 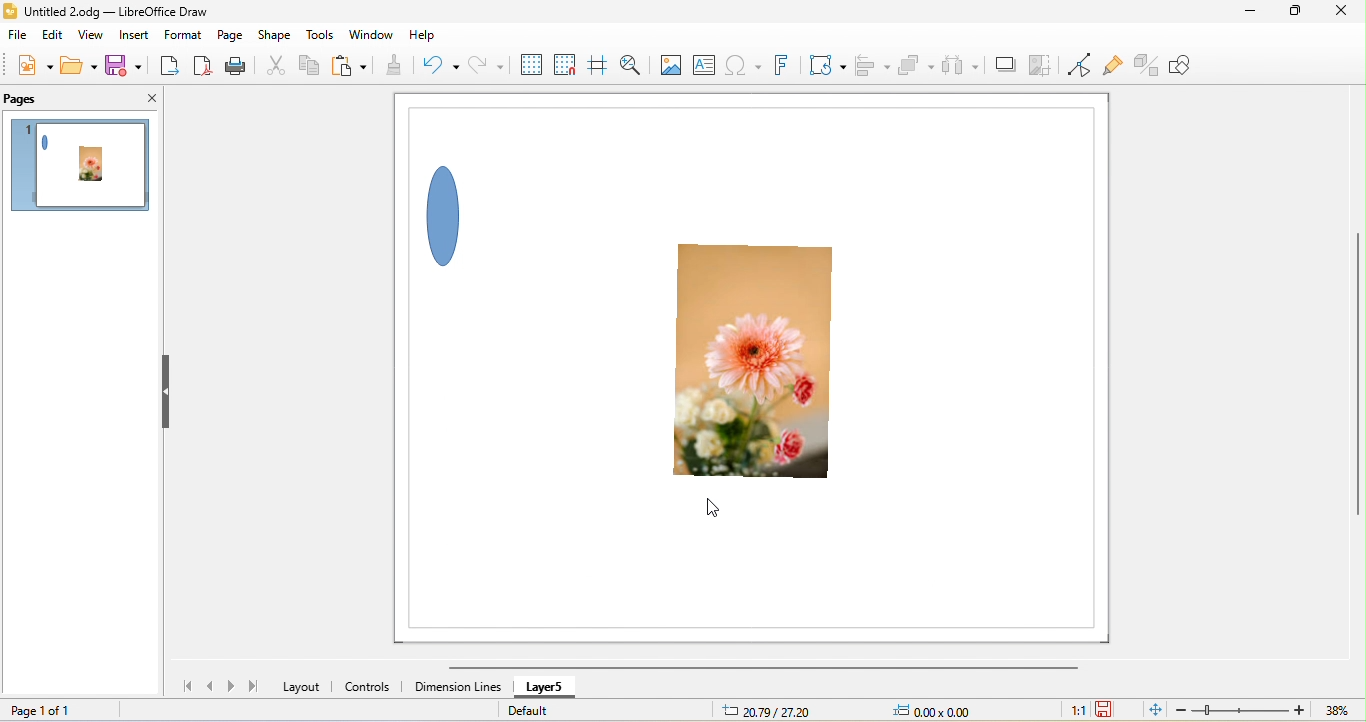 What do you see at coordinates (457, 687) in the screenshot?
I see `dimension lines` at bounding box center [457, 687].